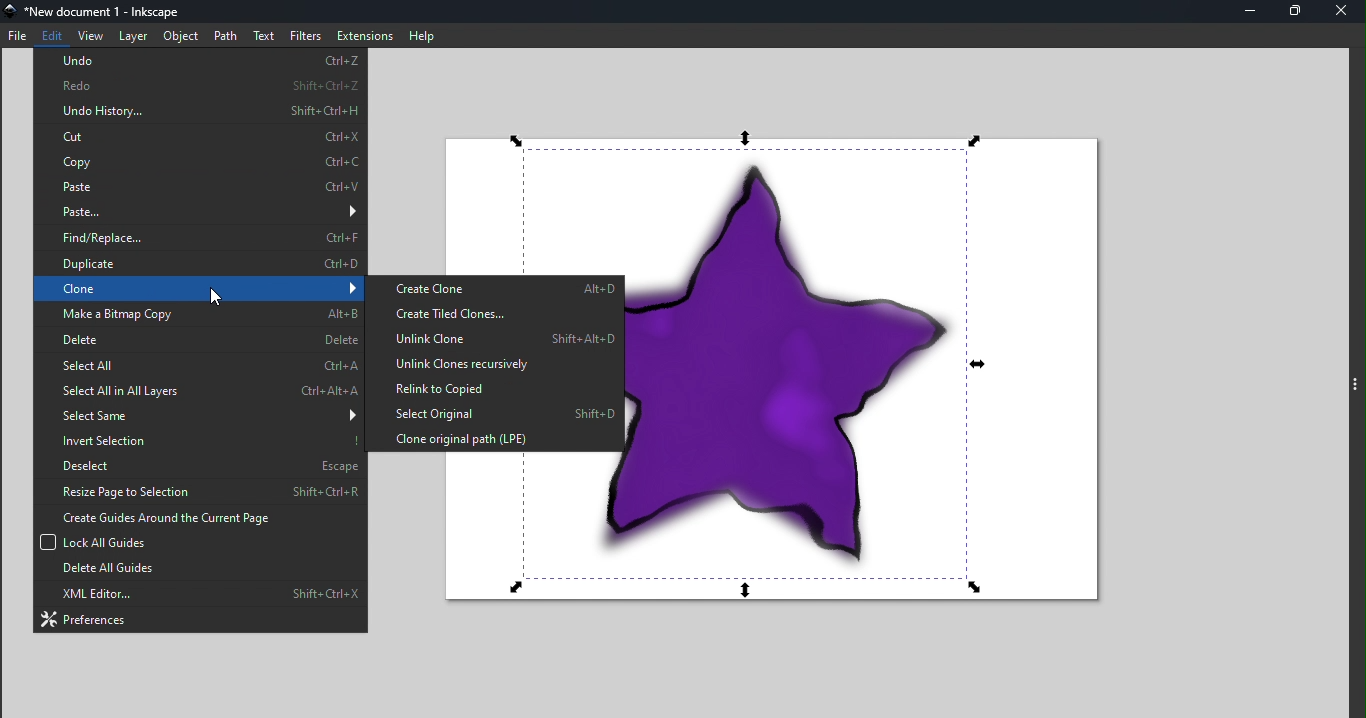 The height and width of the screenshot is (718, 1366). What do you see at coordinates (226, 36) in the screenshot?
I see `Path` at bounding box center [226, 36].